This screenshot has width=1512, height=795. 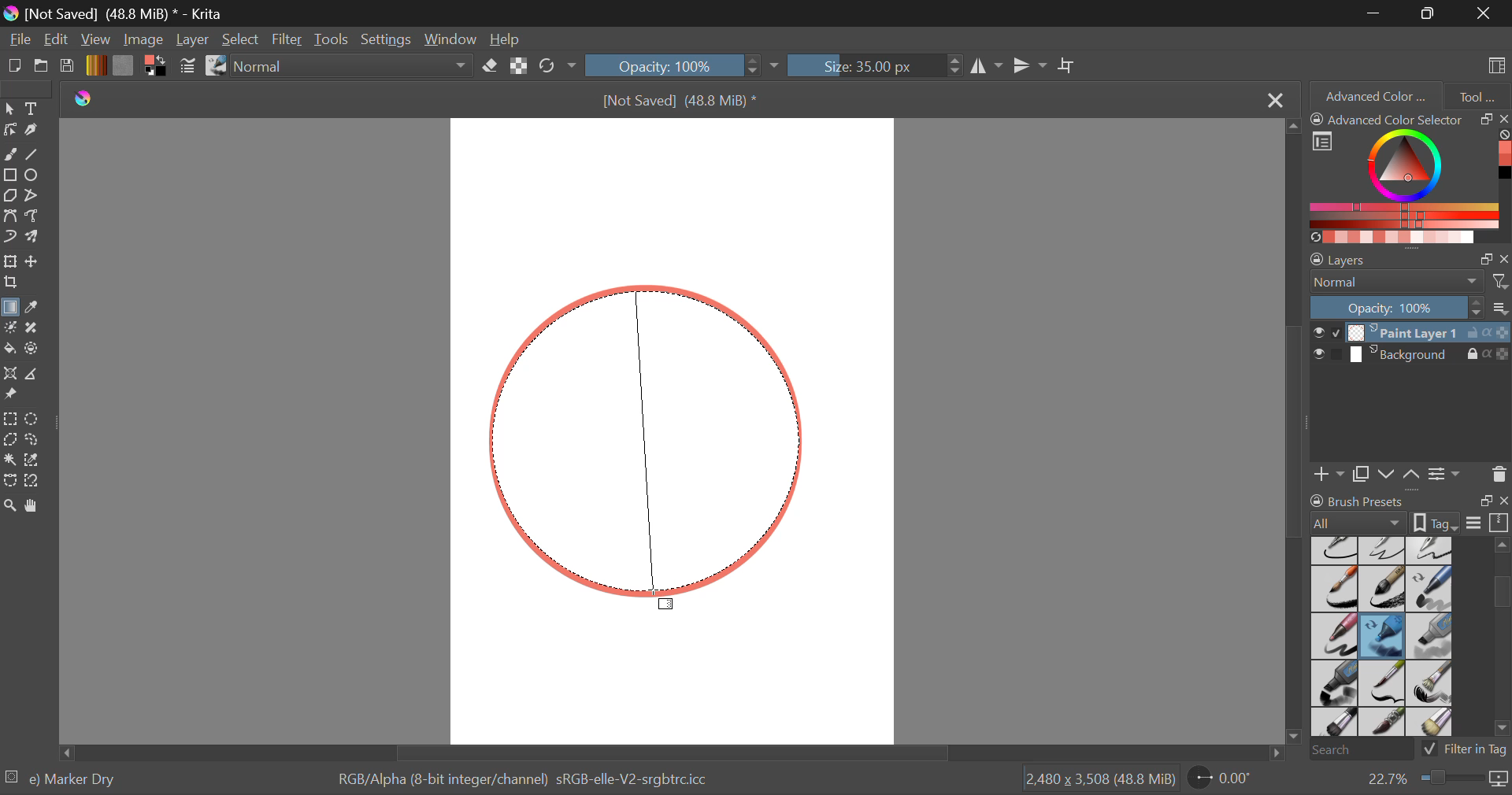 What do you see at coordinates (187, 67) in the screenshot?
I see `Brush Settings` at bounding box center [187, 67].